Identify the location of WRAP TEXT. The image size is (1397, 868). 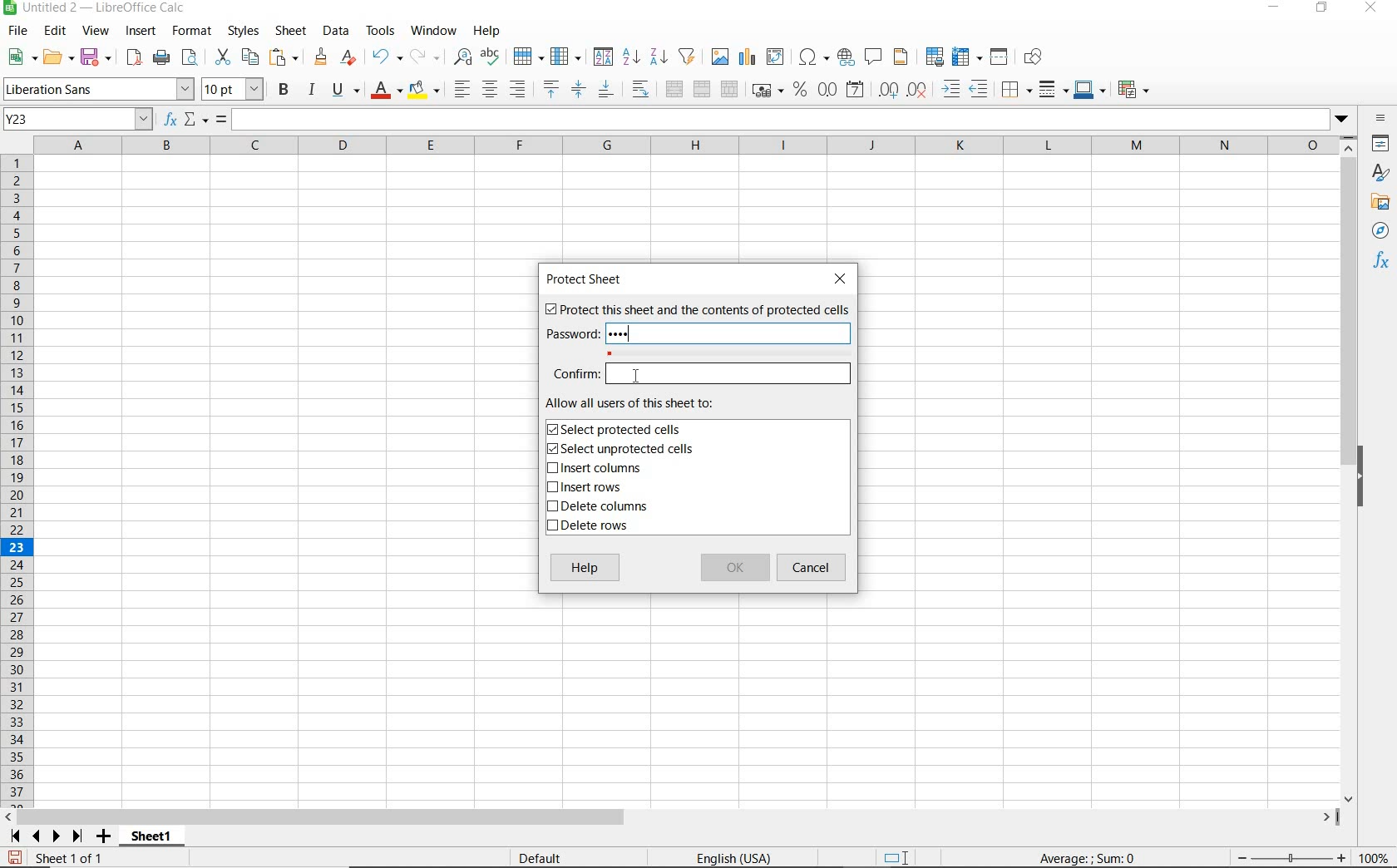
(640, 90).